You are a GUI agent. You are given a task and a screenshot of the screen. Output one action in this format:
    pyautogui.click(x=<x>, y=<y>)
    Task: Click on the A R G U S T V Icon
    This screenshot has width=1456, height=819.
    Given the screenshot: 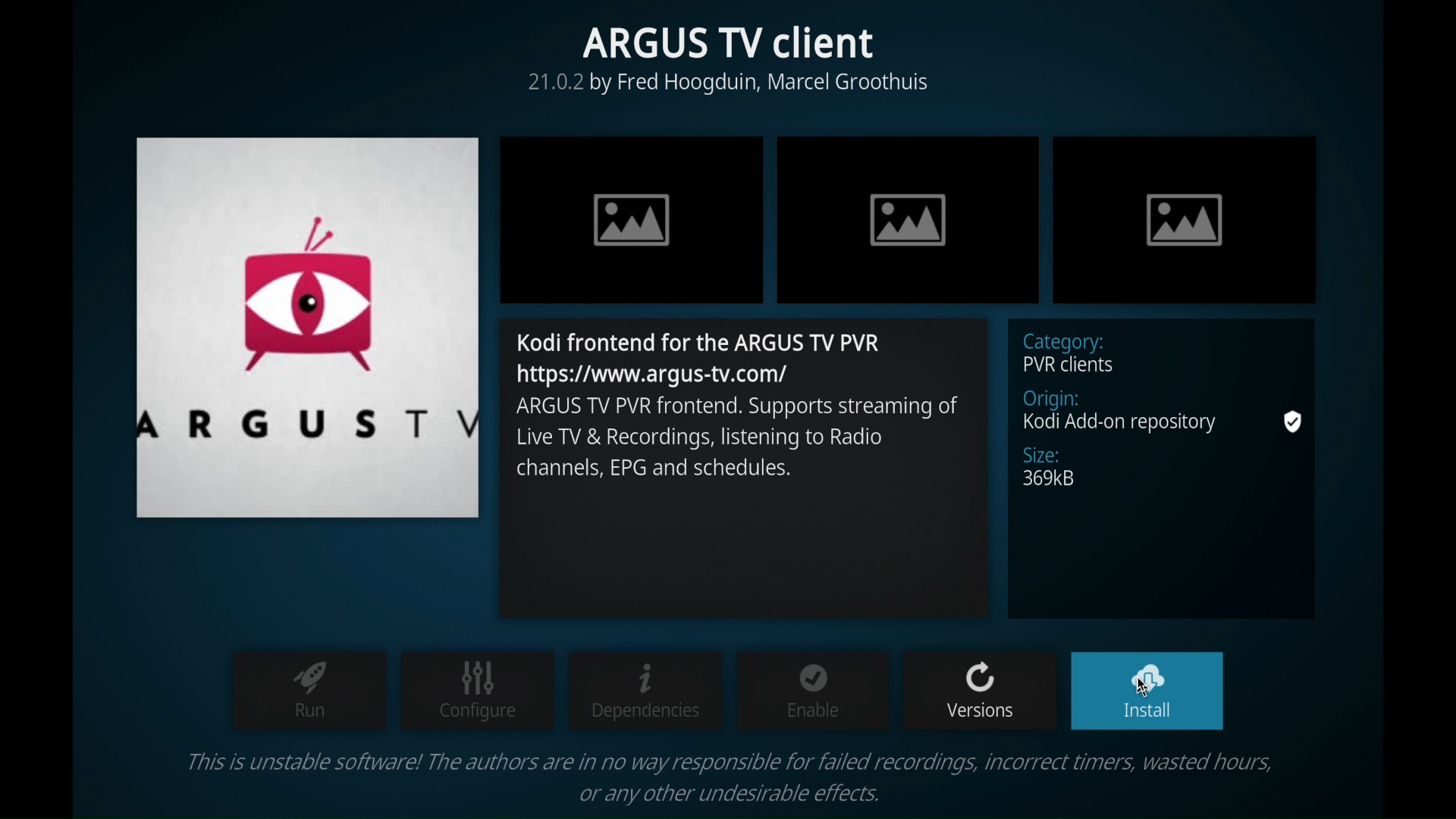 What is the action you would take?
    pyautogui.click(x=309, y=326)
    